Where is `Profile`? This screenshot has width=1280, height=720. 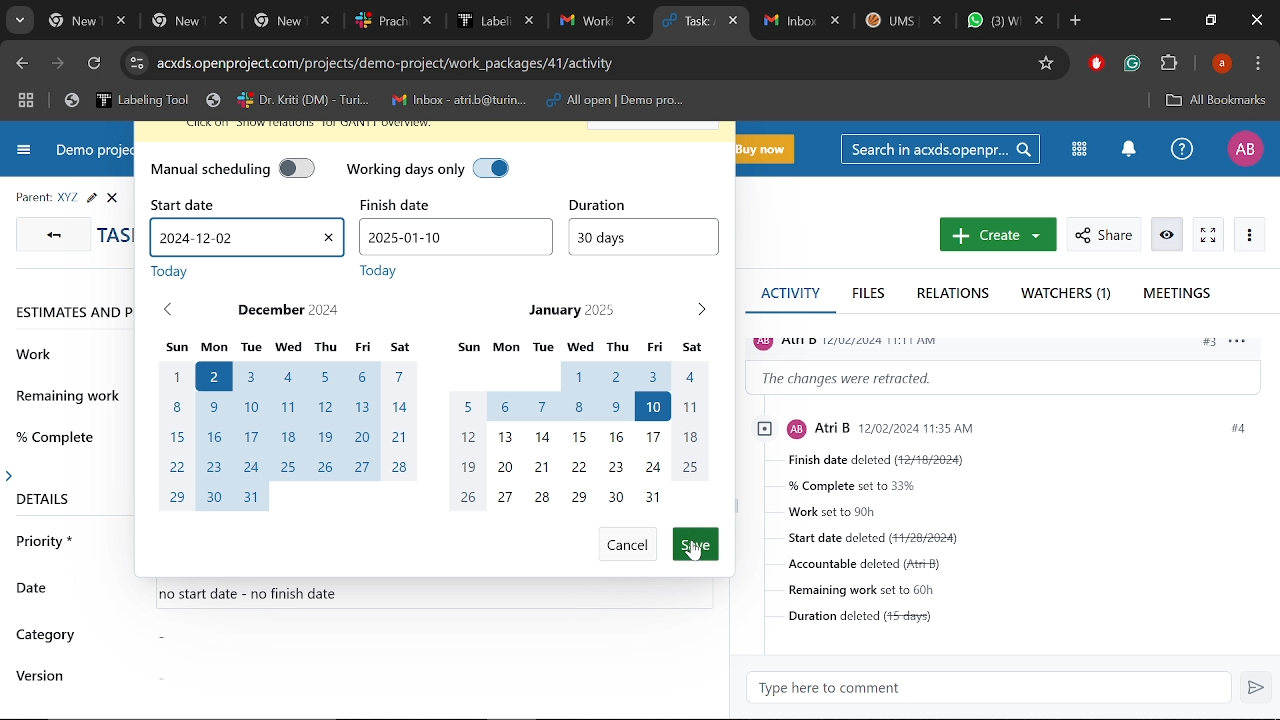 Profile is located at coordinates (1243, 149).